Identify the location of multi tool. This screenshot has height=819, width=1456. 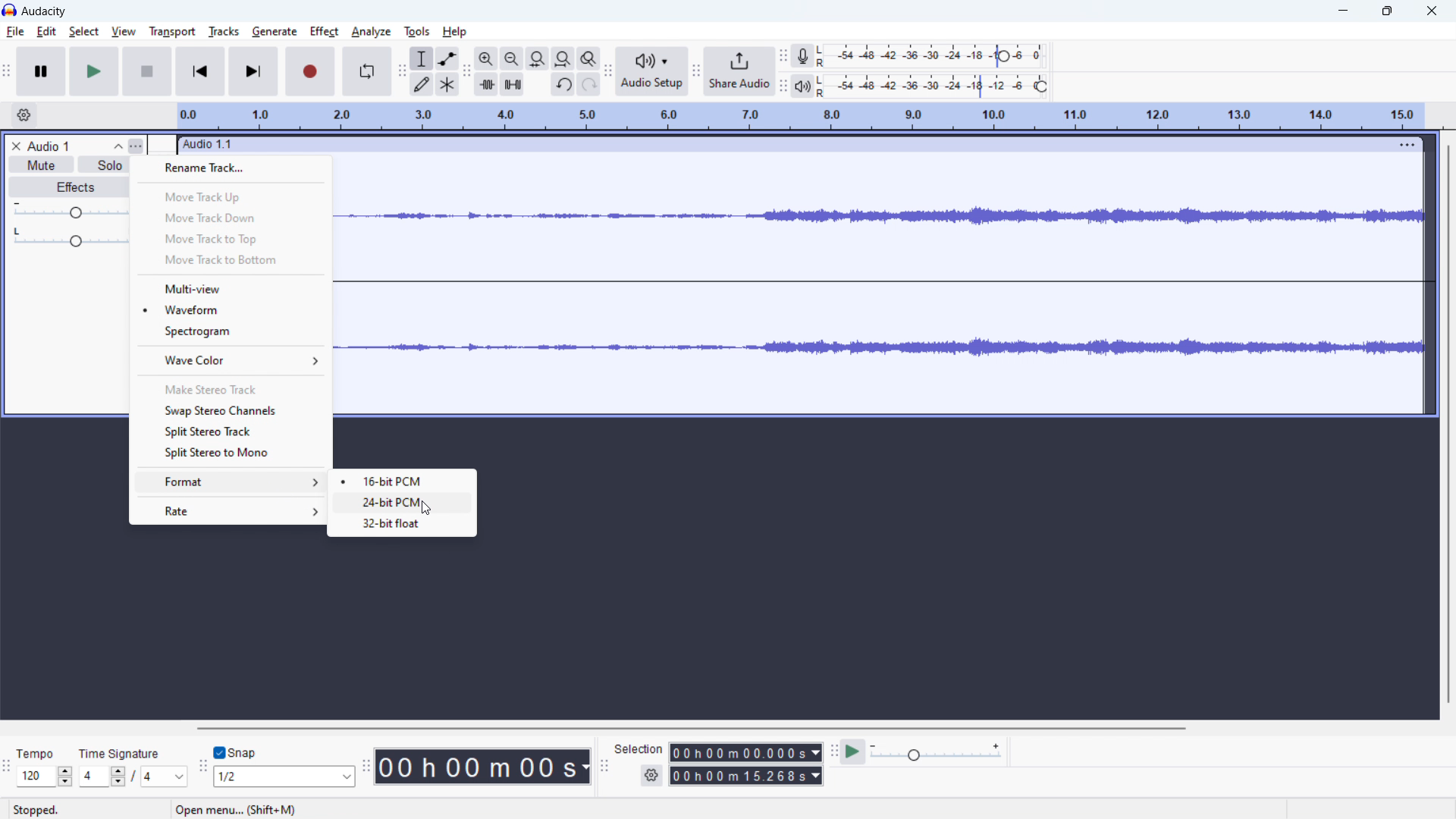
(447, 84).